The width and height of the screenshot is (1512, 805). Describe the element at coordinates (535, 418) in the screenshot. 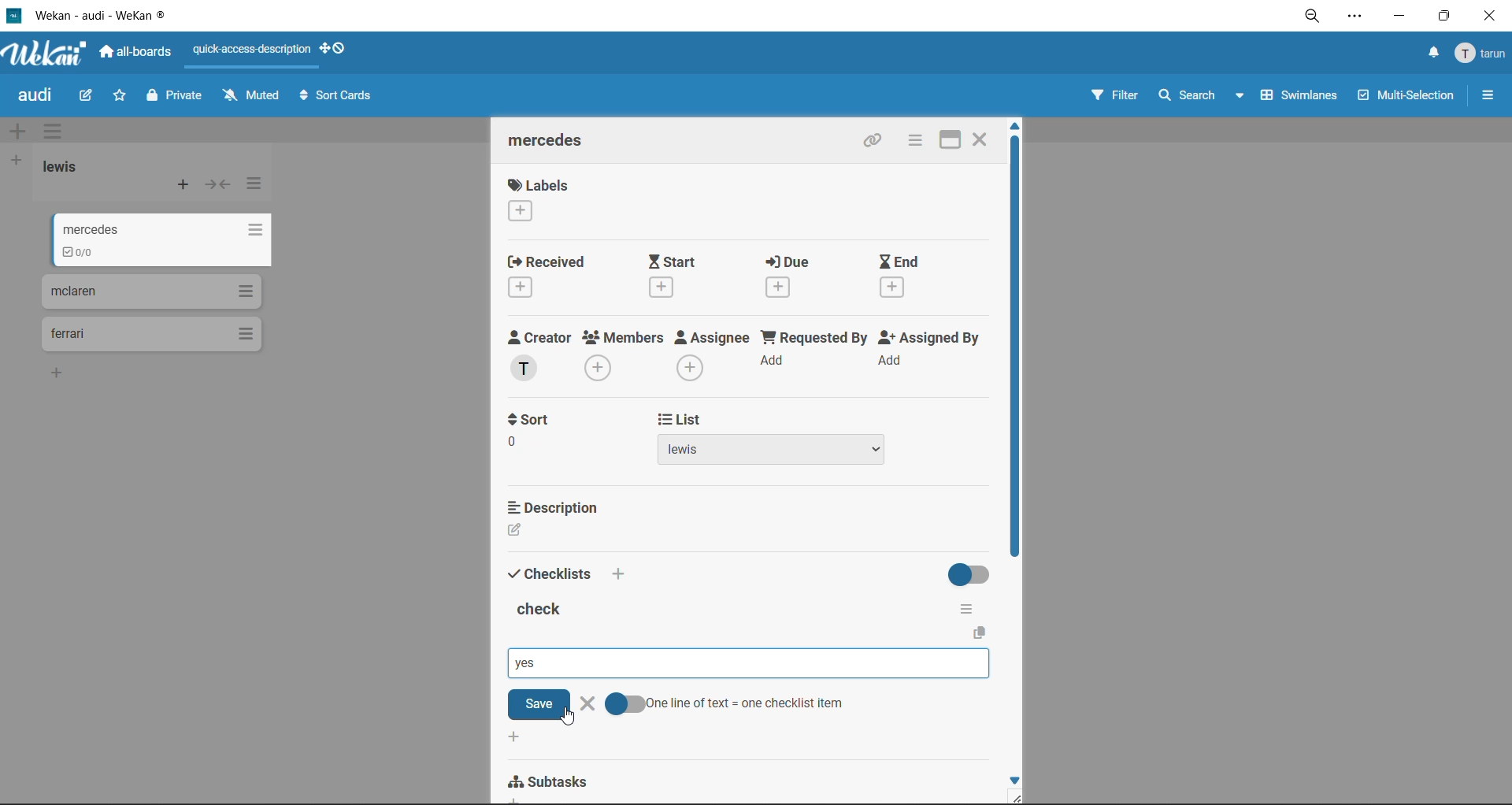

I see `t` at that location.